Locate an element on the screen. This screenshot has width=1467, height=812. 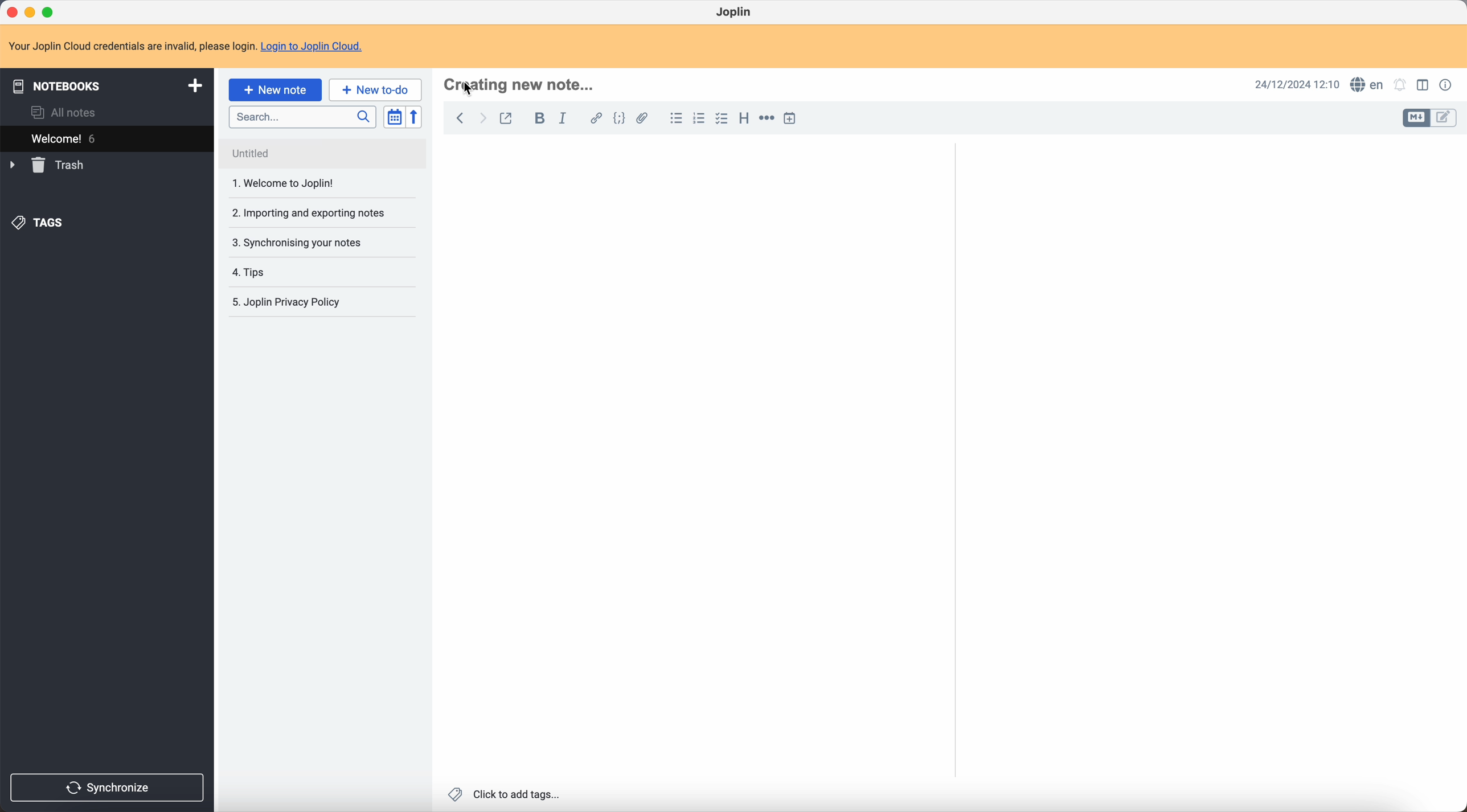
notebooks is located at coordinates (105, 84).